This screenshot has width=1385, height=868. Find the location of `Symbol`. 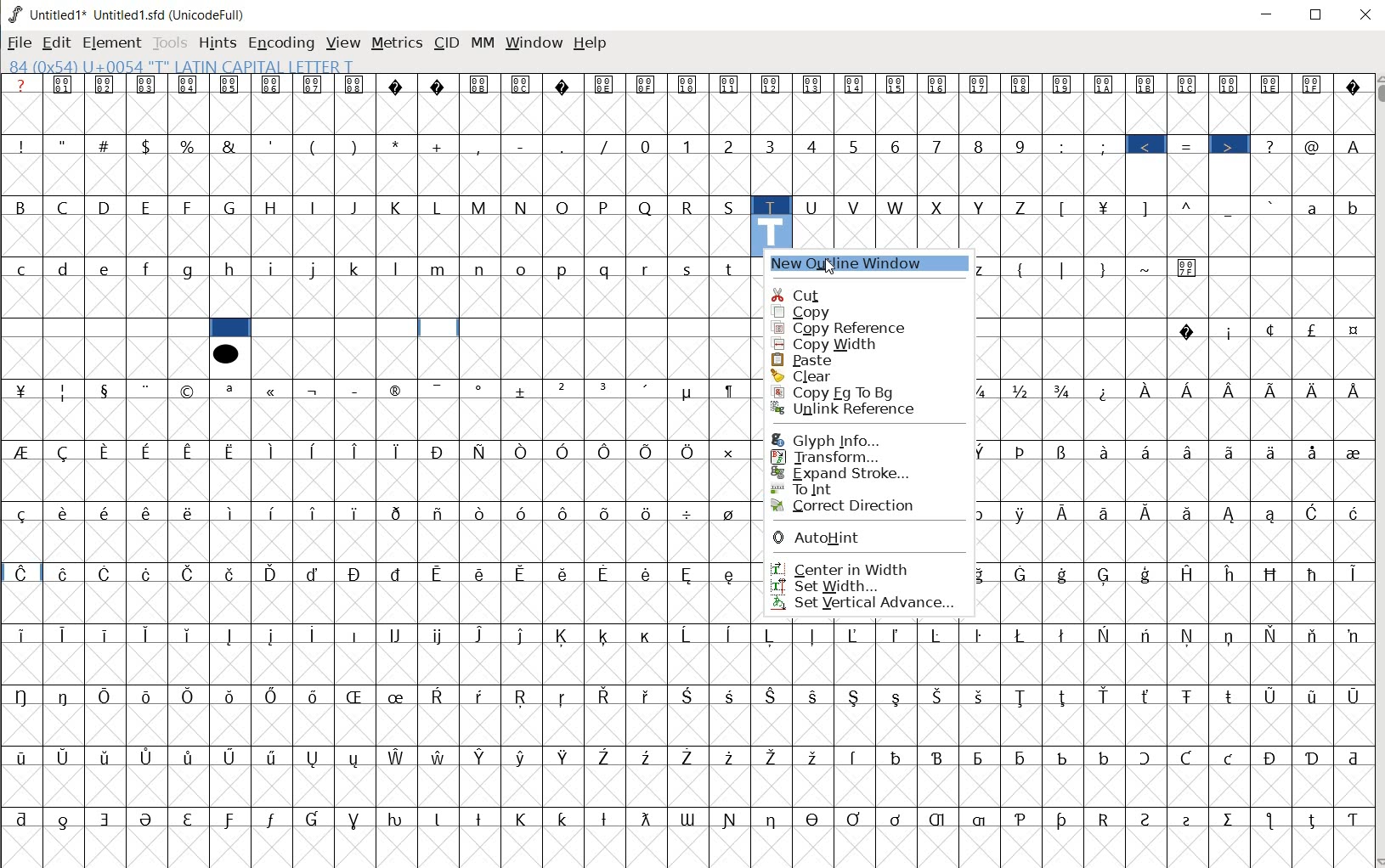

Symbol is located at coordinates (357, 389).